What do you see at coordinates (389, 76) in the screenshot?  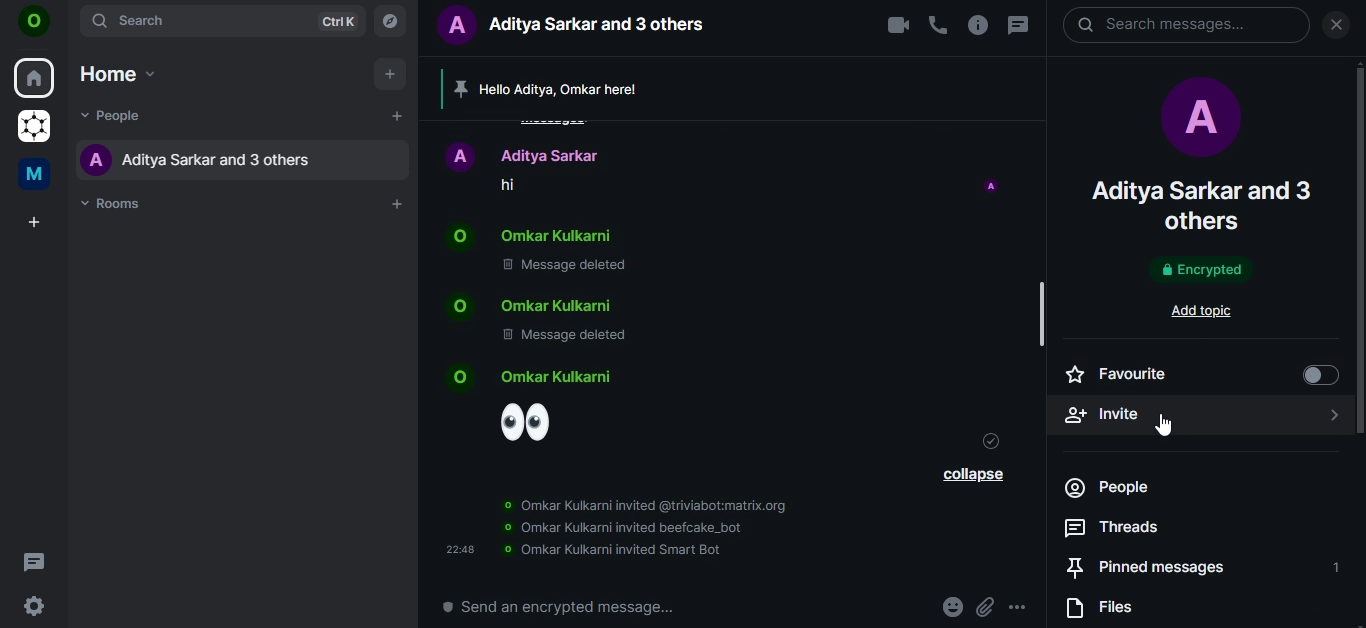 I see `add` at bounding box center [389, 76].